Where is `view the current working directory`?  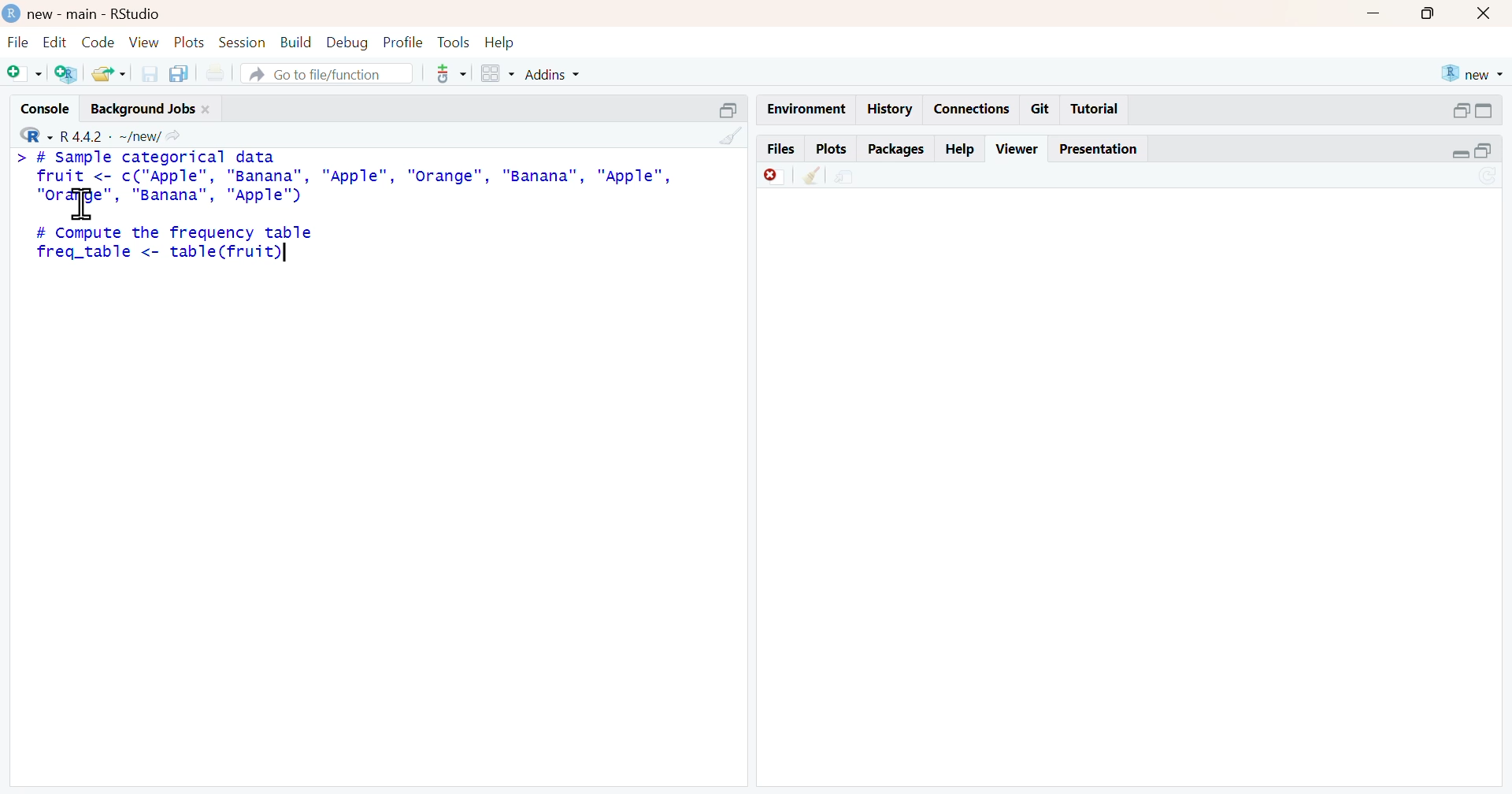 view the current working directory is located at coordinates (174, 137).